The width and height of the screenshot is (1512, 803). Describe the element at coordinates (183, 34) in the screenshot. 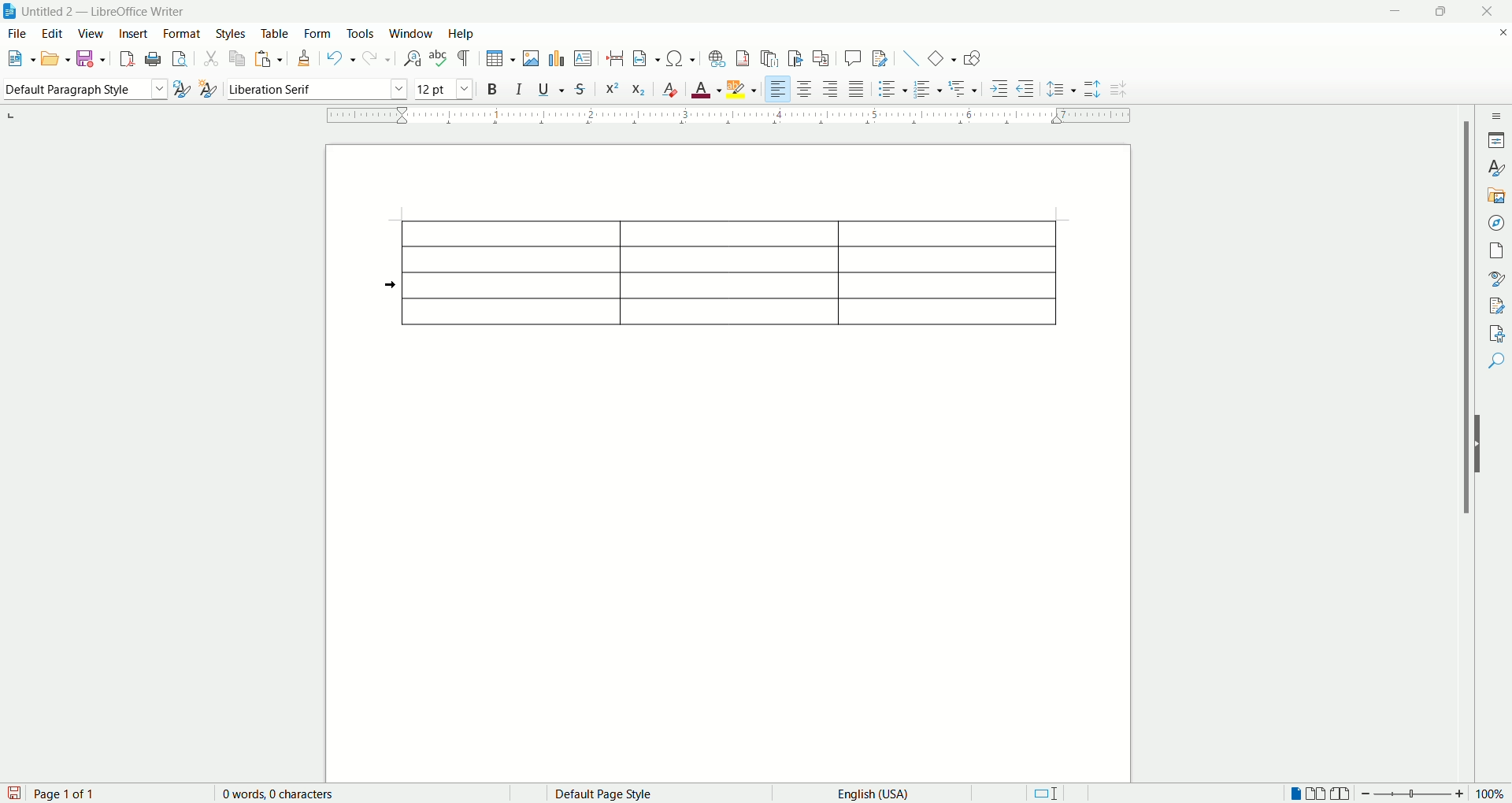

I see `format` at that location.